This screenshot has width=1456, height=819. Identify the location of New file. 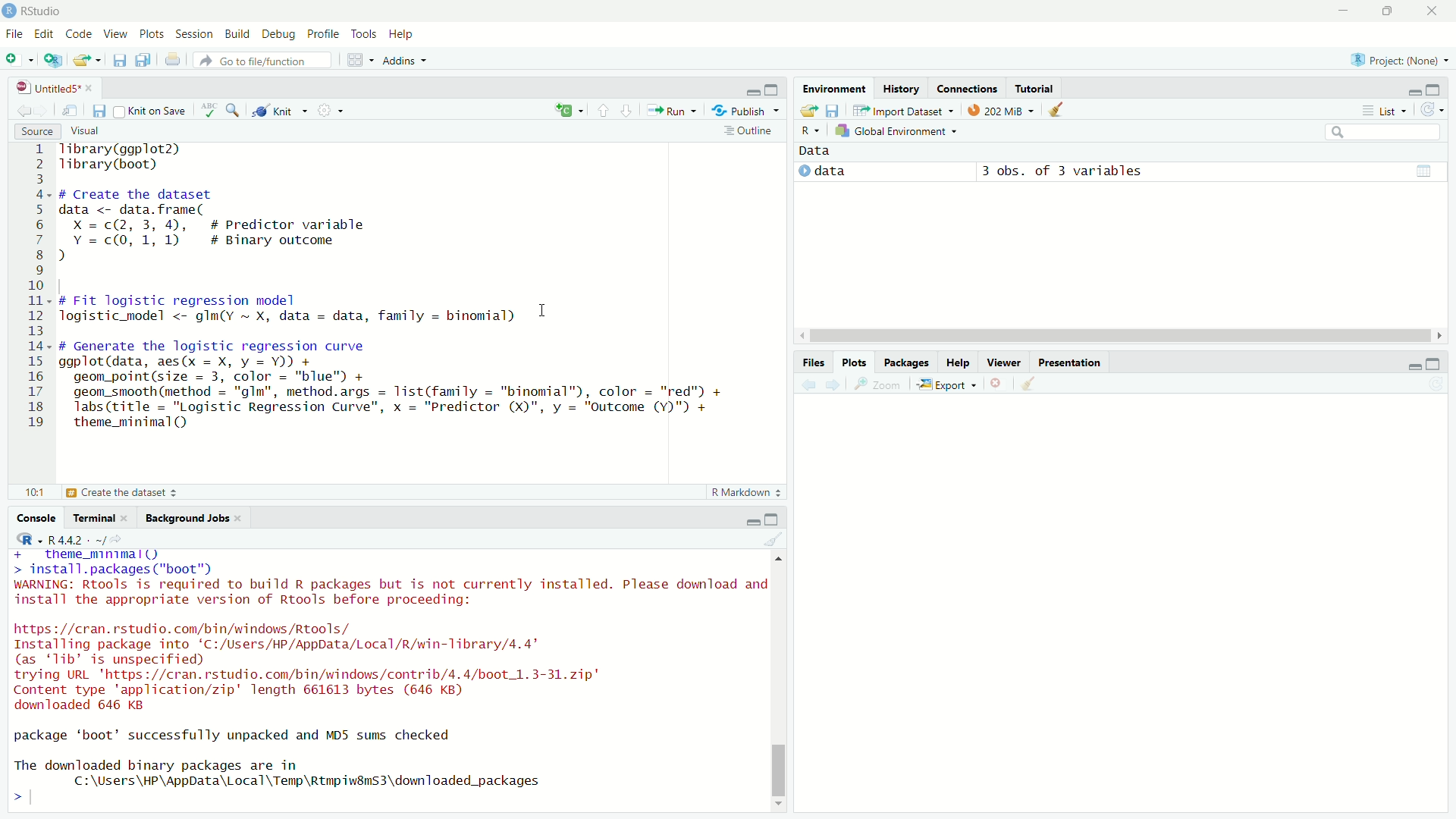
(19, 61).